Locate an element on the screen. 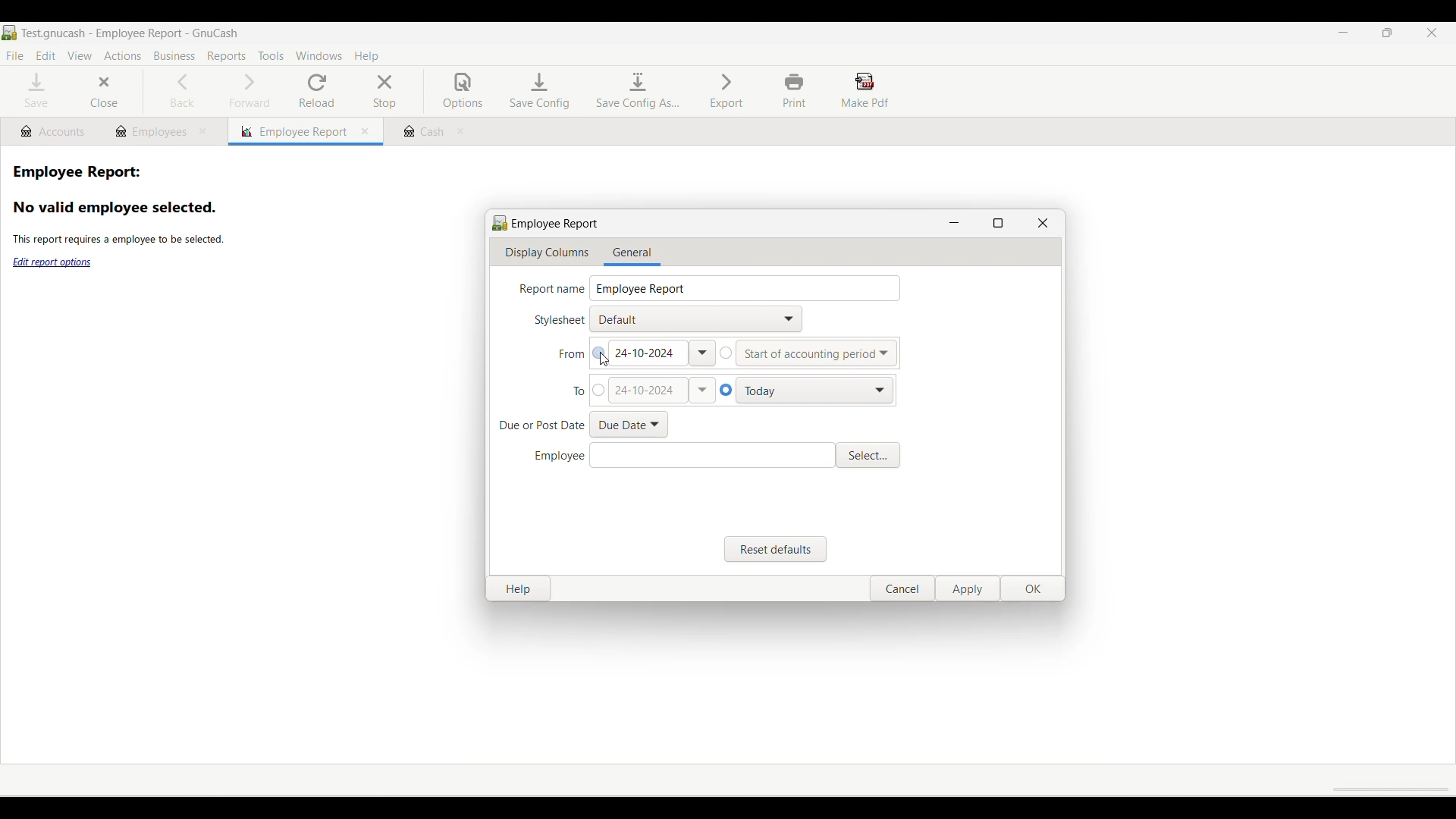 Image resolution: width=1456 pixels, height=819 pixels. Save changes is located at coordinates (1031, 588).